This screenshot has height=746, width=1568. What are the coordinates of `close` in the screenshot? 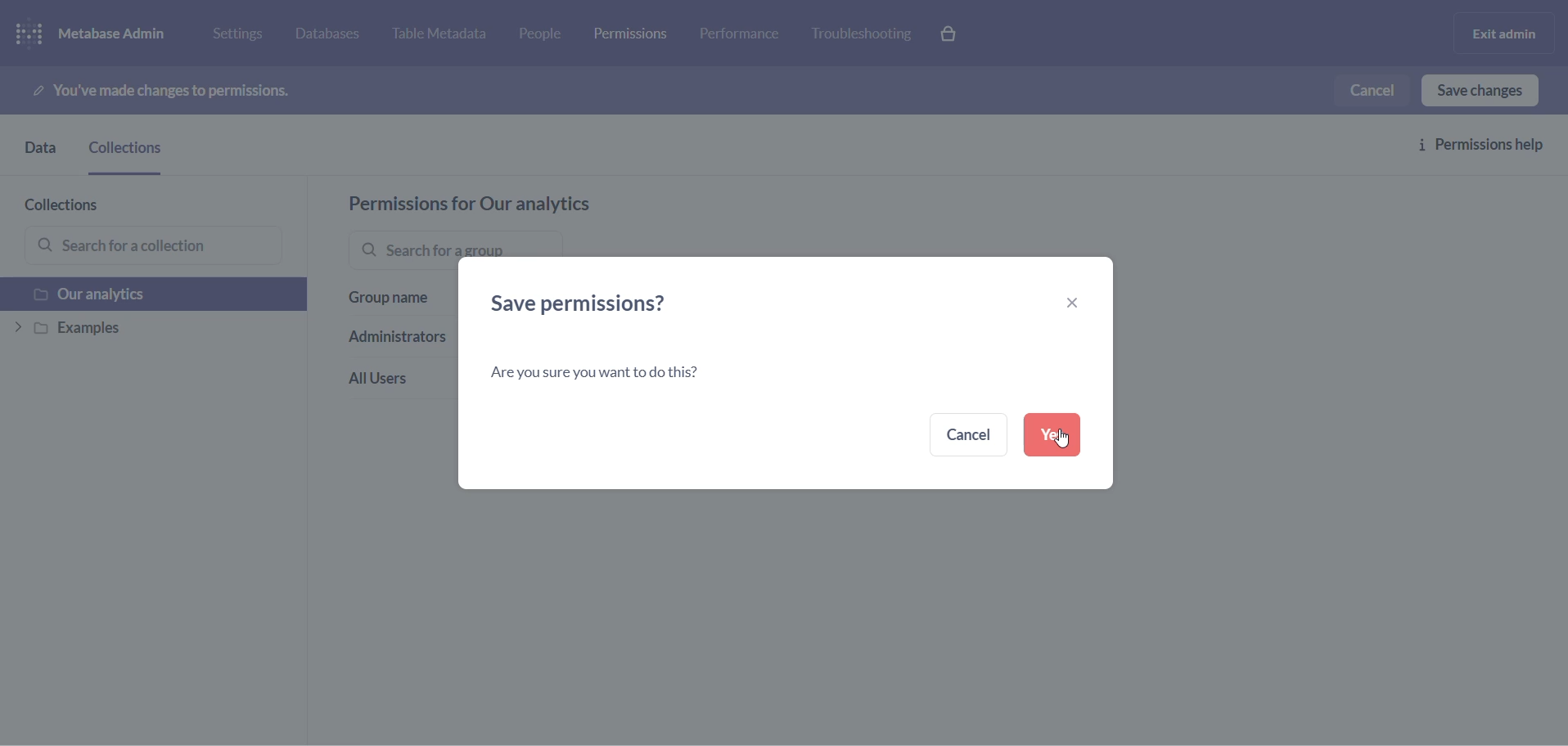 It's located at (1066, 301).